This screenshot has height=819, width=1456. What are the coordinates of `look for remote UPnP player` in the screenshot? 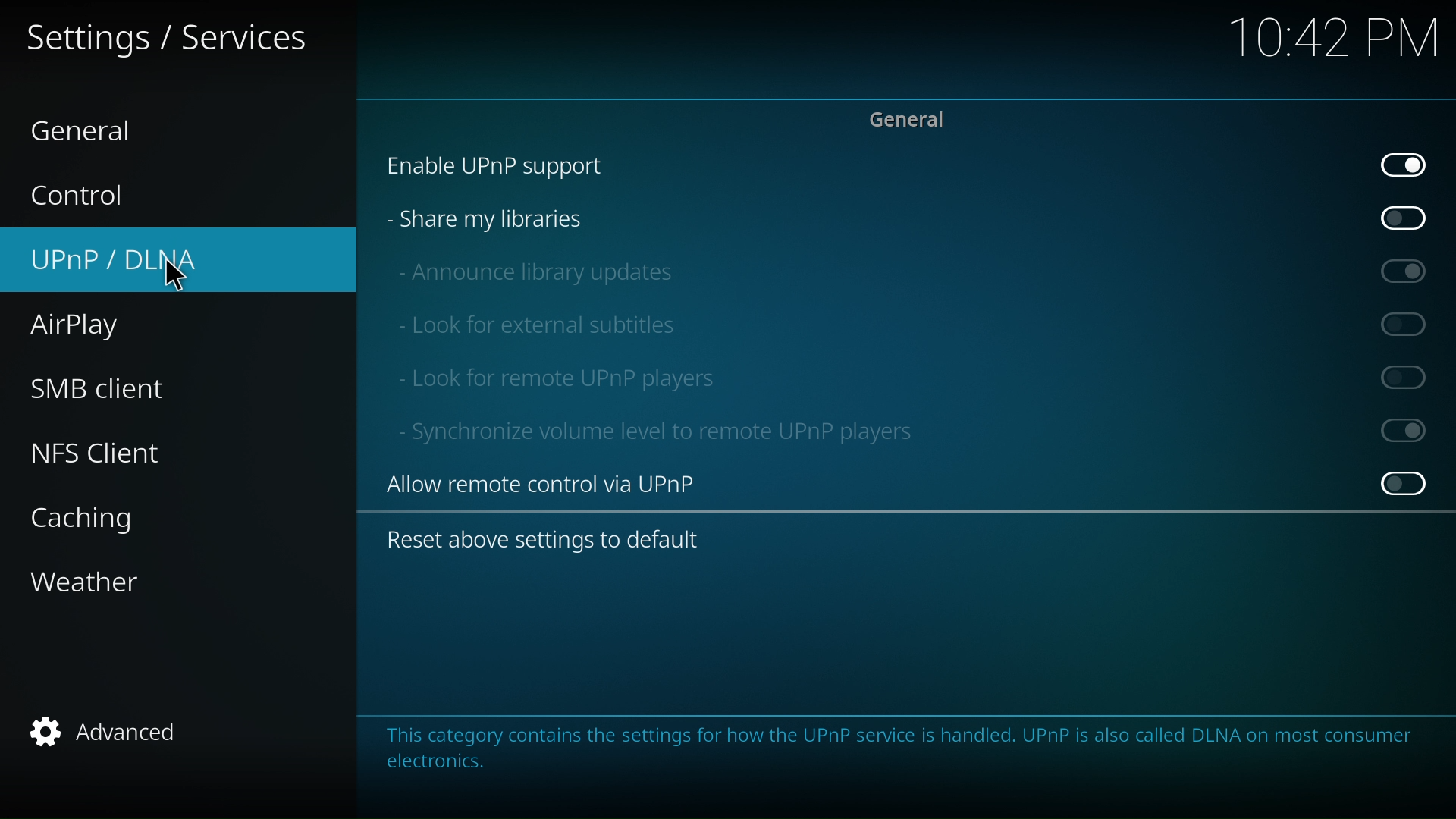 It's located at (912, 378).